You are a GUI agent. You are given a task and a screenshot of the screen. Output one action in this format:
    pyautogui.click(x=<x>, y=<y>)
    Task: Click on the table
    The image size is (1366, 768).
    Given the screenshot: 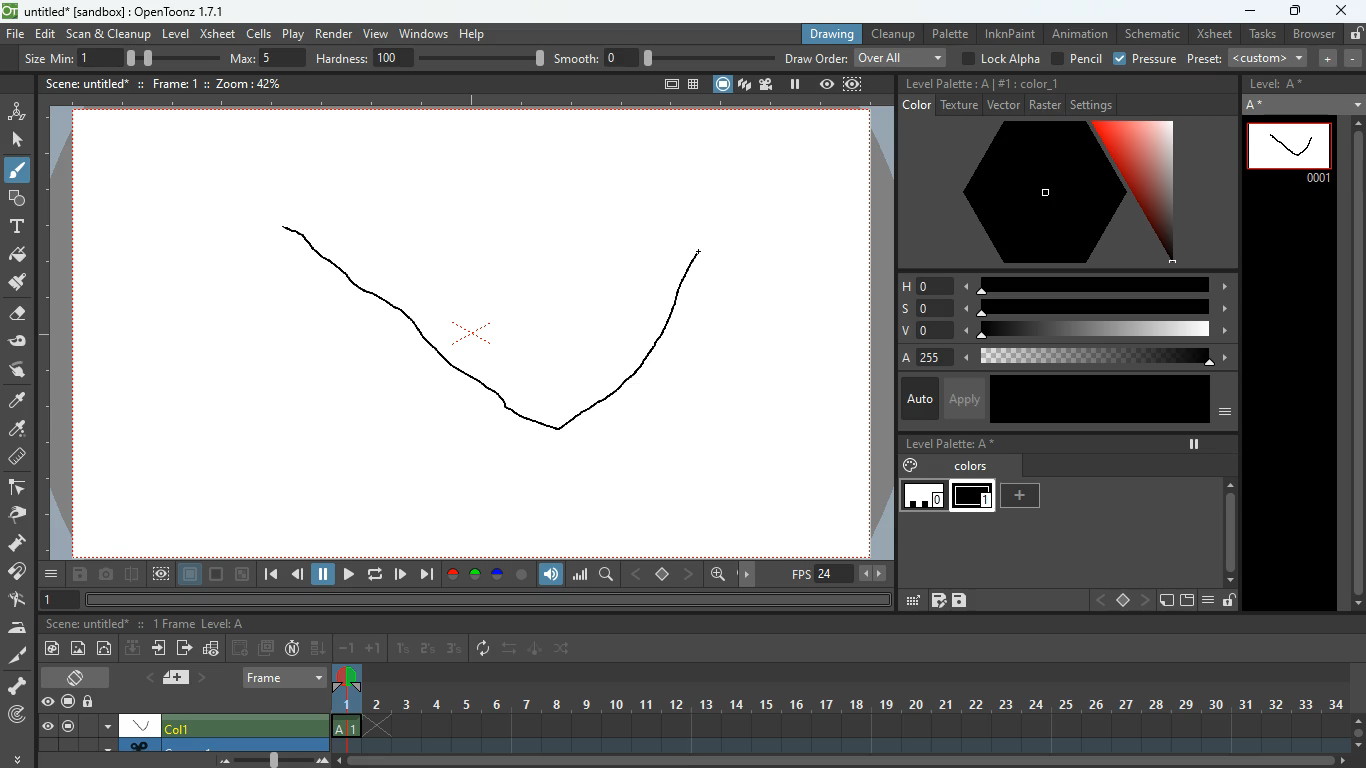 What is the action you would take?
    pyautogui.click(x=694, y=86)
    